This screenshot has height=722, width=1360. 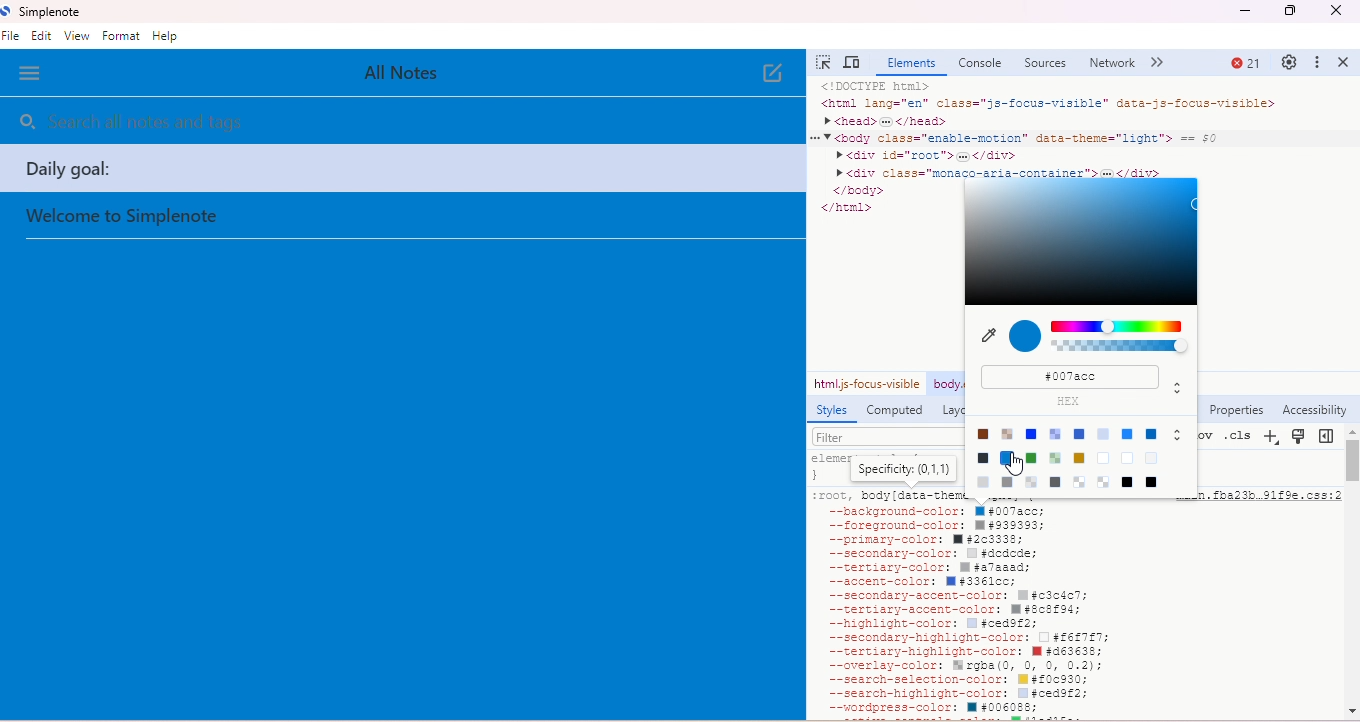 What do you see at coordinates (44, 37) in the screenshot?
I see `edit` at bounding box center [44, 37].